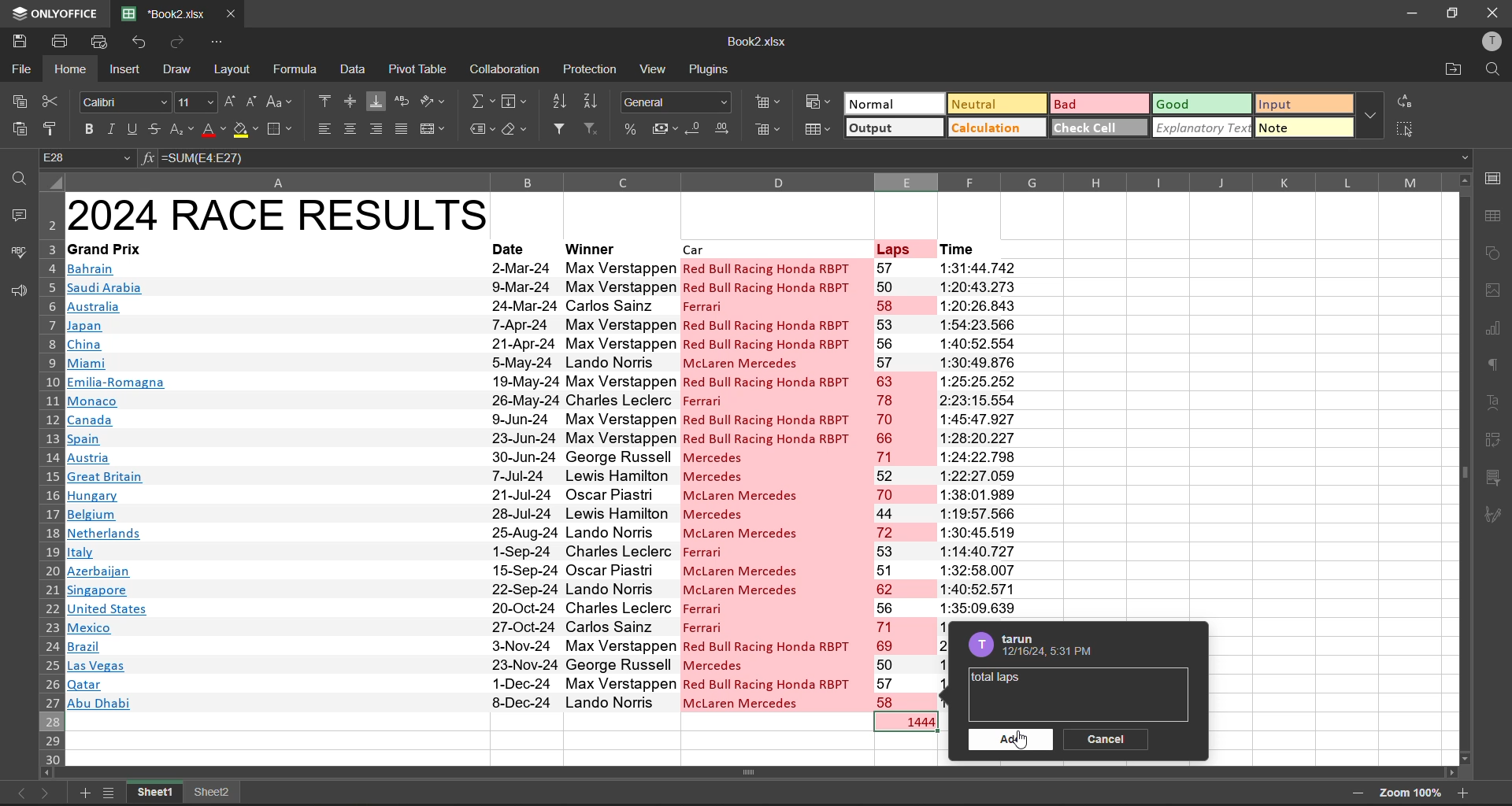  I want to click on align center, so click(354, 128).